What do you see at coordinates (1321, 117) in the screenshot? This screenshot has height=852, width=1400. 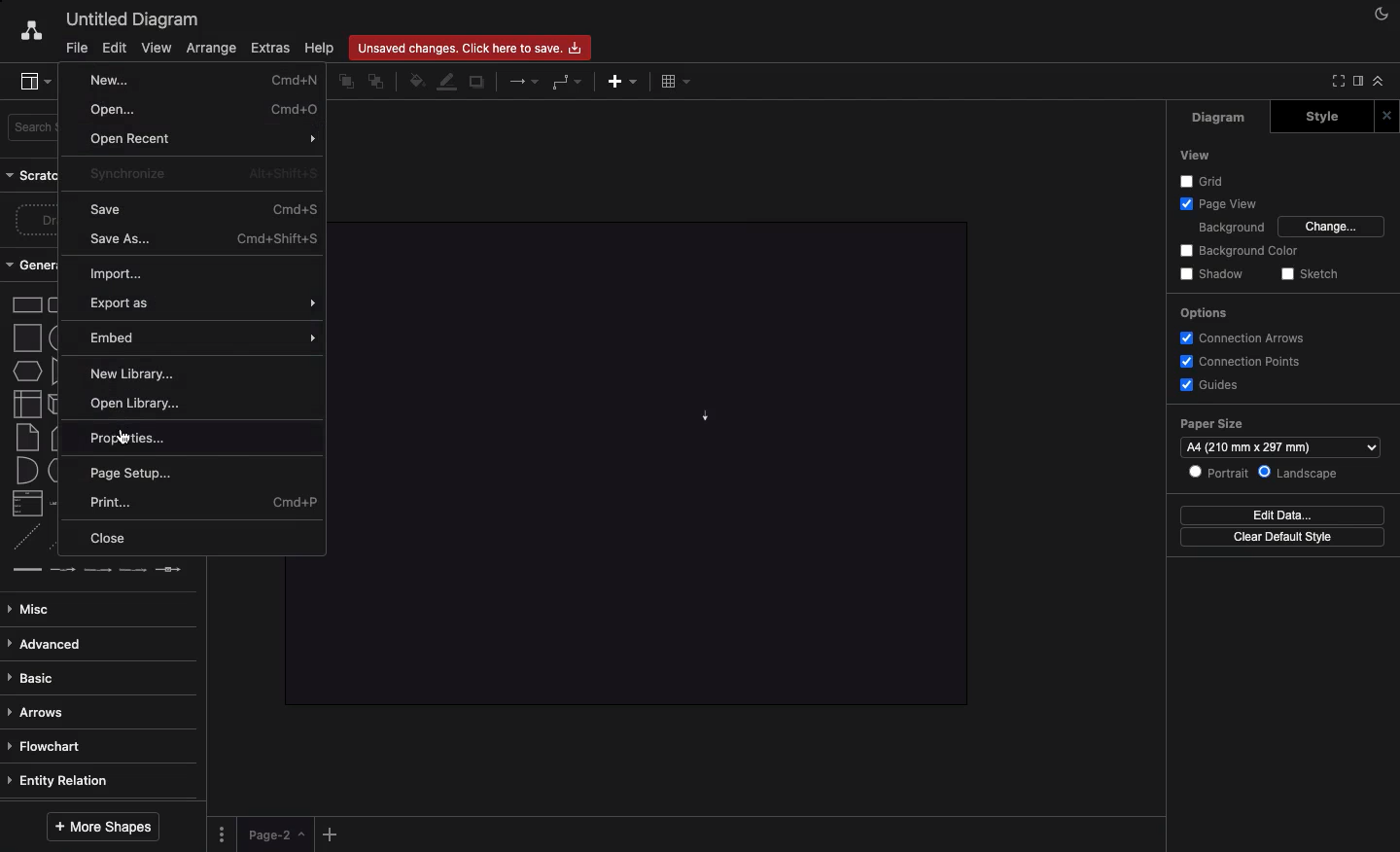 I see `Style` at bounding box center [1321, 117].